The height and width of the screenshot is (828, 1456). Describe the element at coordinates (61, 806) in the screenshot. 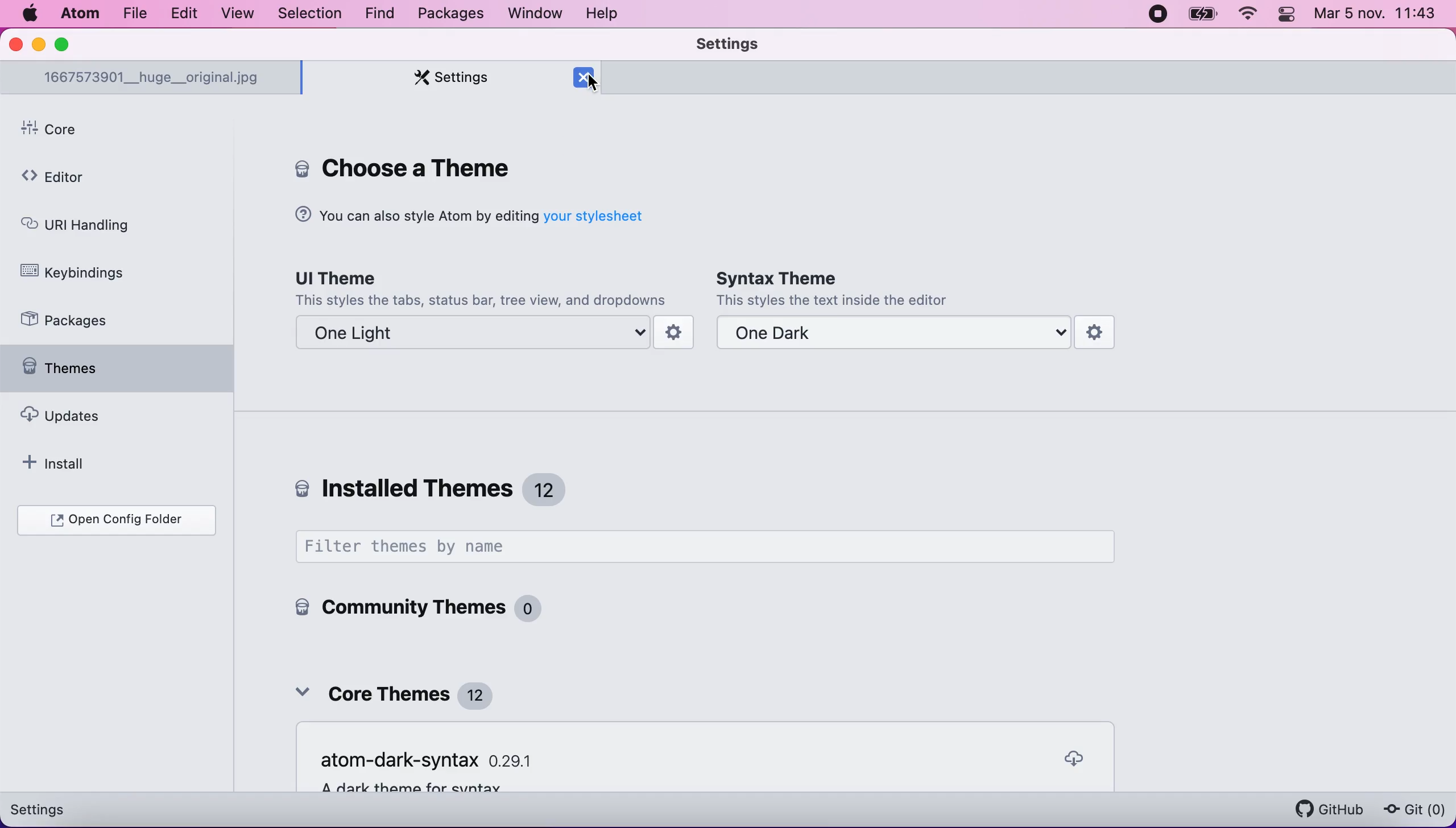

I see `settings` at that location.